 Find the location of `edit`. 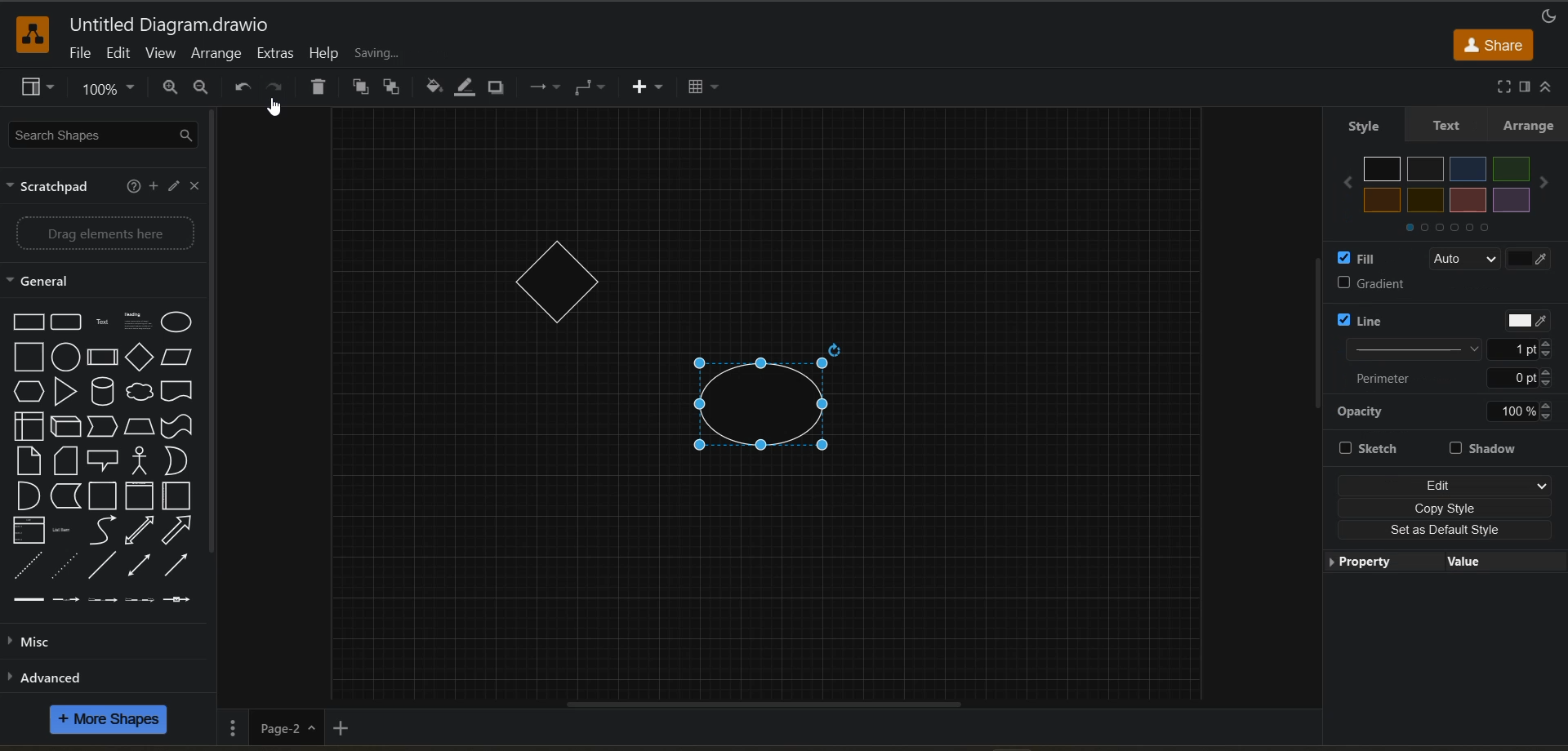

edit is located at coordinates (120, 57).